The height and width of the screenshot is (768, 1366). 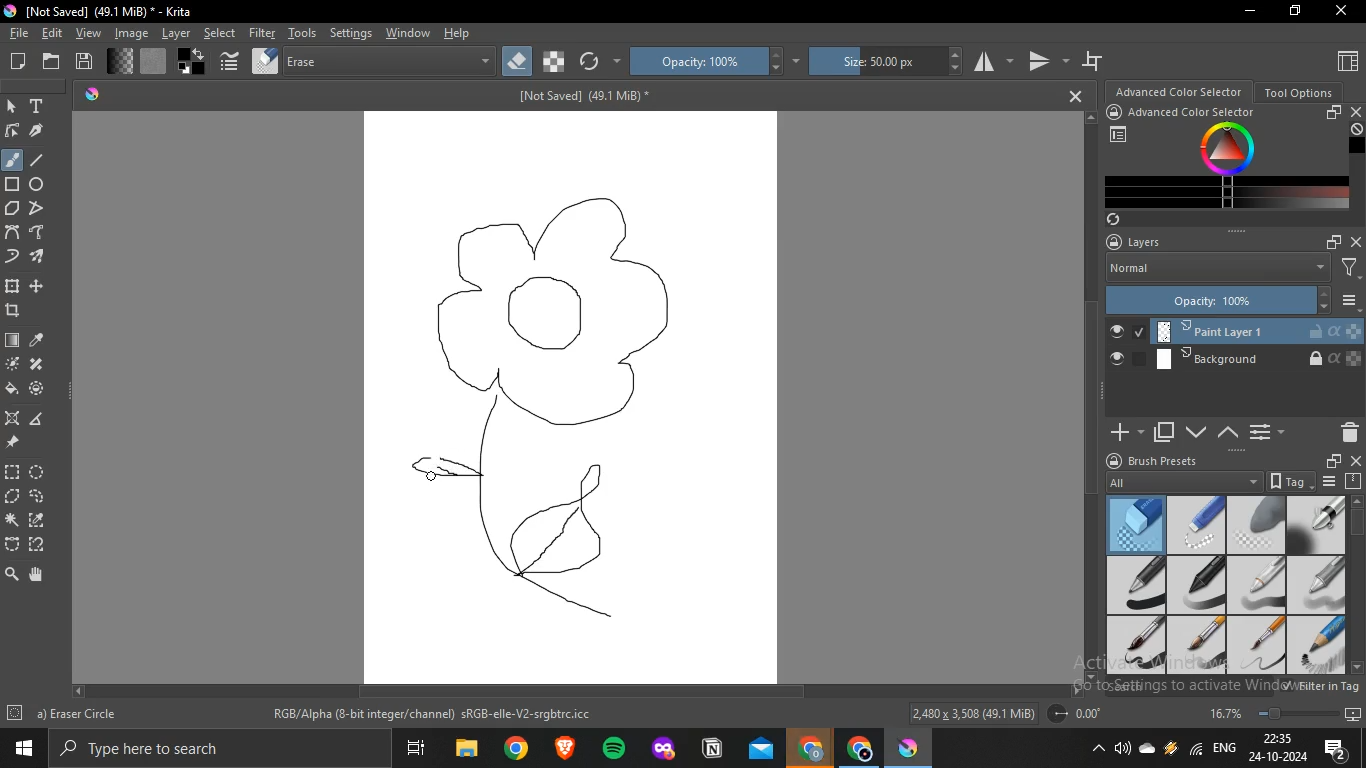 What do you see at coordinates (36, 131) in the screenshot?
I see `calligraphy` at bounding box center [36, 131].